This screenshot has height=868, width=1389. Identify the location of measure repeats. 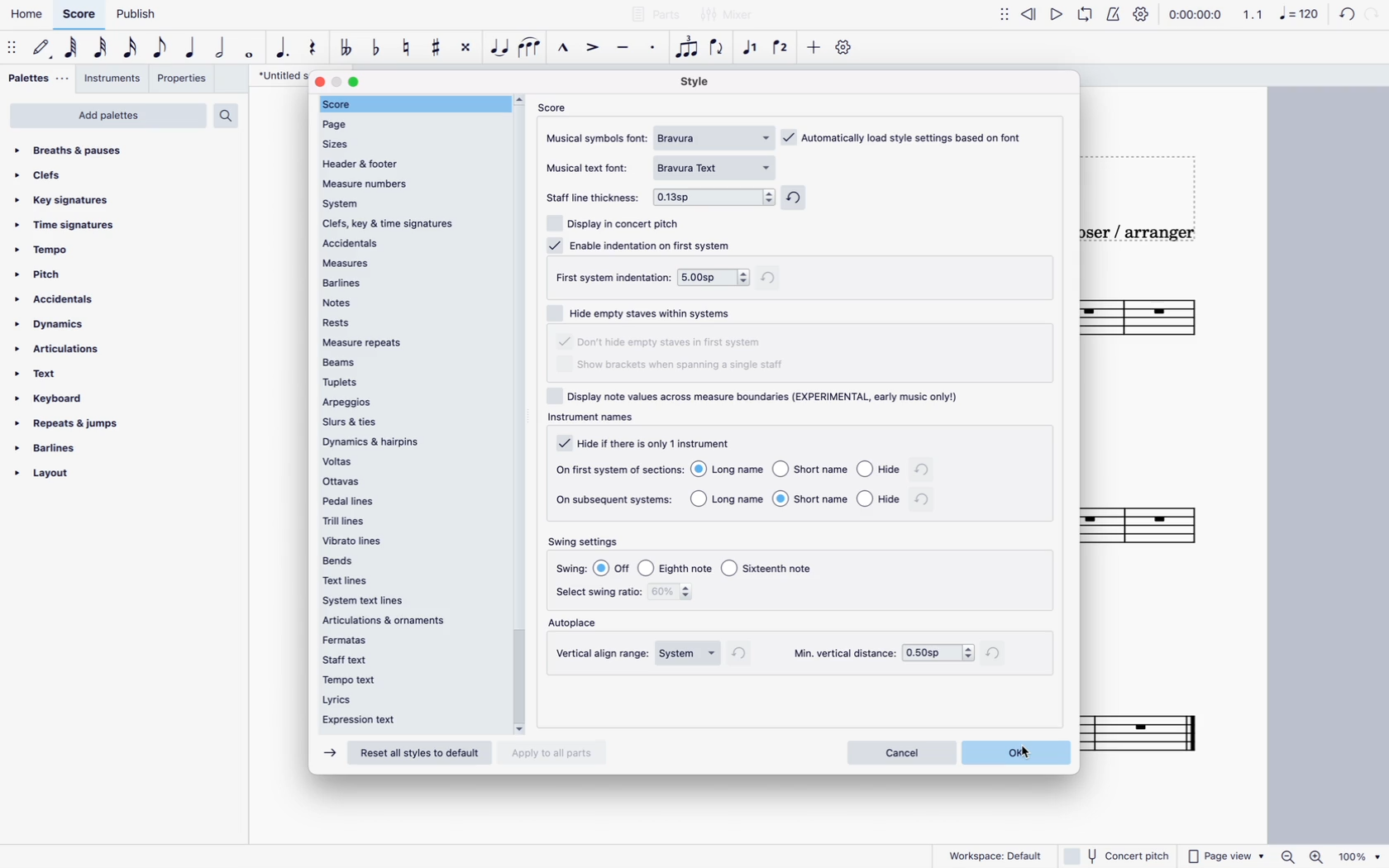
(411, 342).